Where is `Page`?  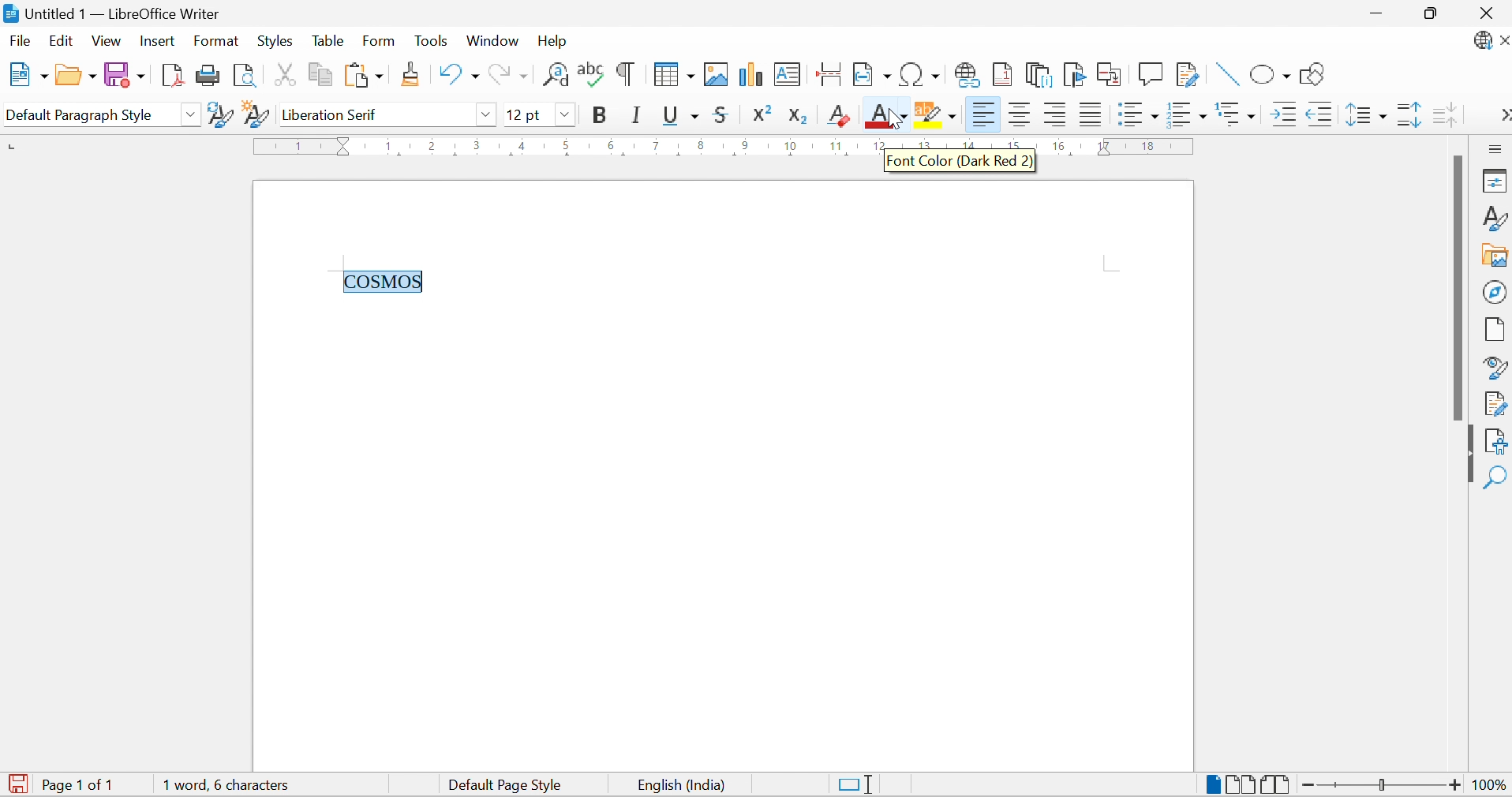
Page is located at coordinates (1496, 330).